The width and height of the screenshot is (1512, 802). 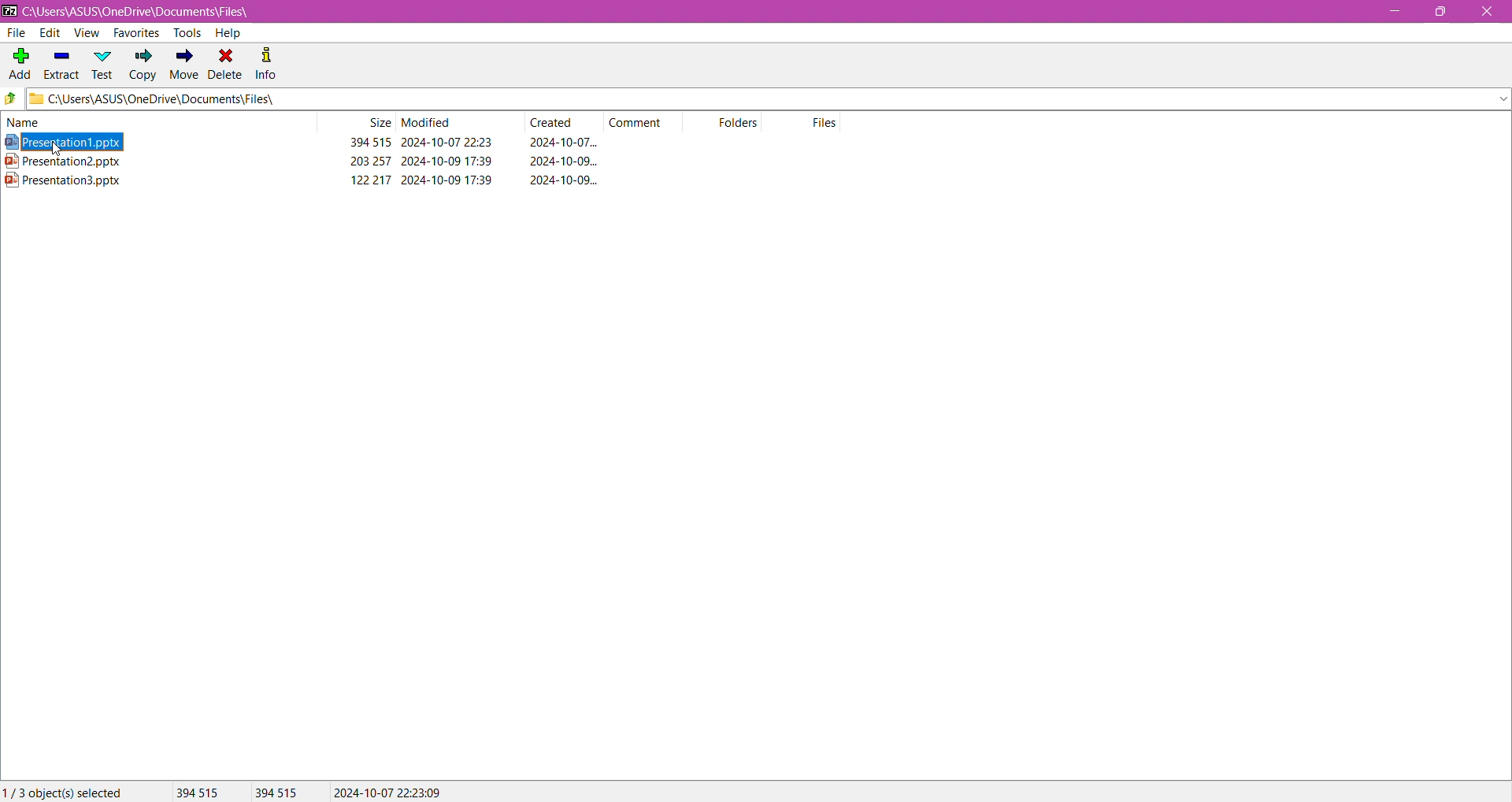 What do you see at coordinates (196, 792) in the screenshot?
I see `394515` at bounding box center [196, 792].